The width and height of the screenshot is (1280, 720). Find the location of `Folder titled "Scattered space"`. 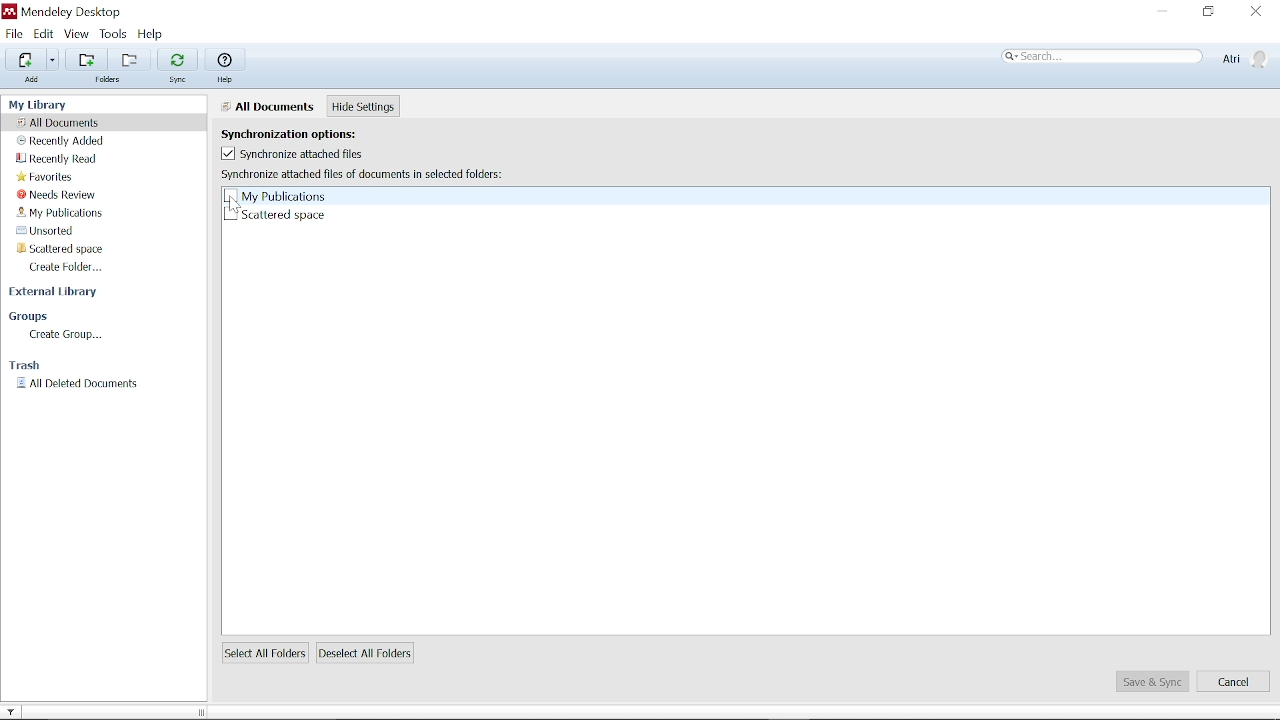

Folder titled "Scattered space" is located at coordinates (71, 250).